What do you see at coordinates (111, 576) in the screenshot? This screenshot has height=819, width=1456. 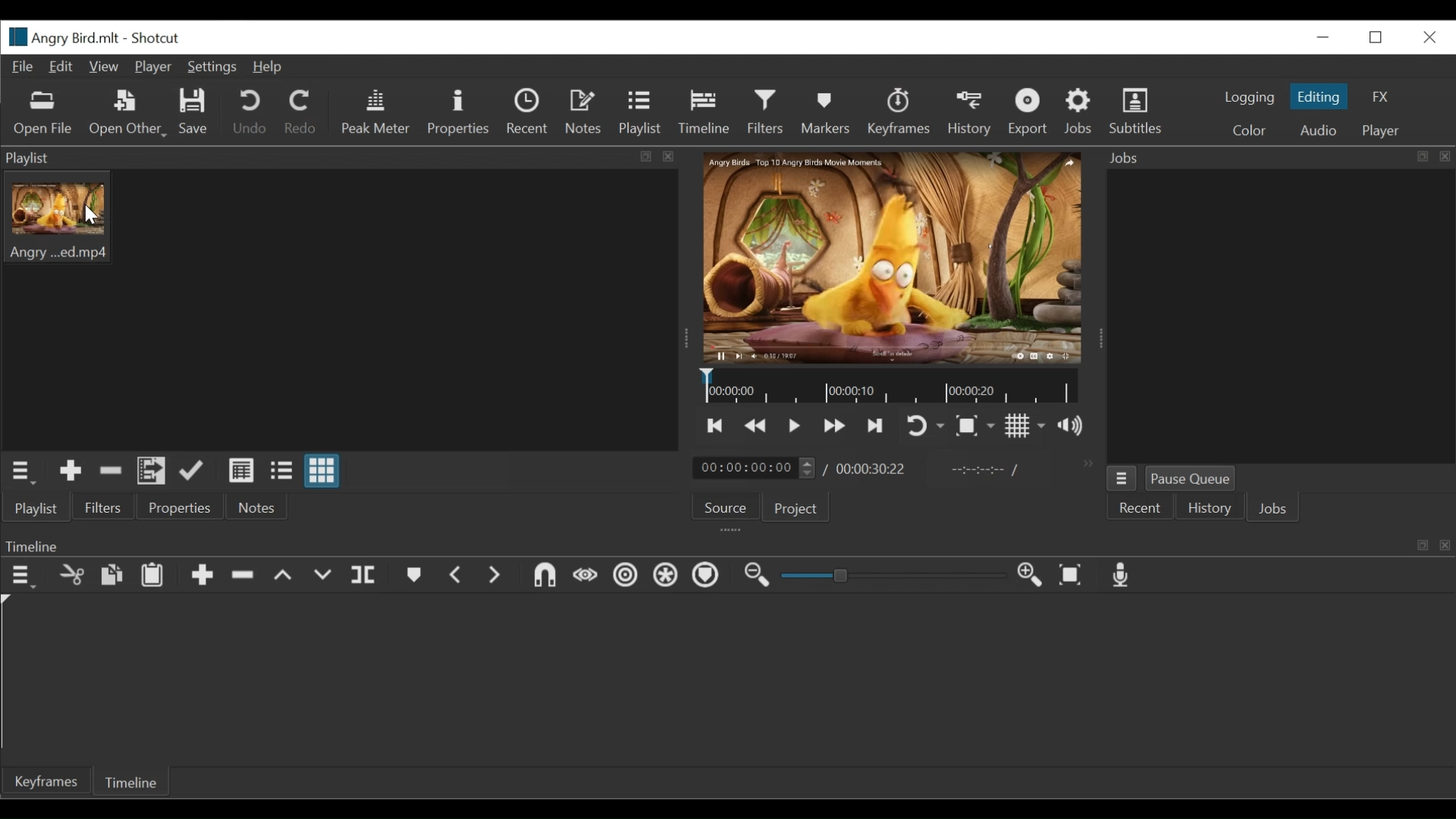 I see `Copy` at bounding box center [111, 576].